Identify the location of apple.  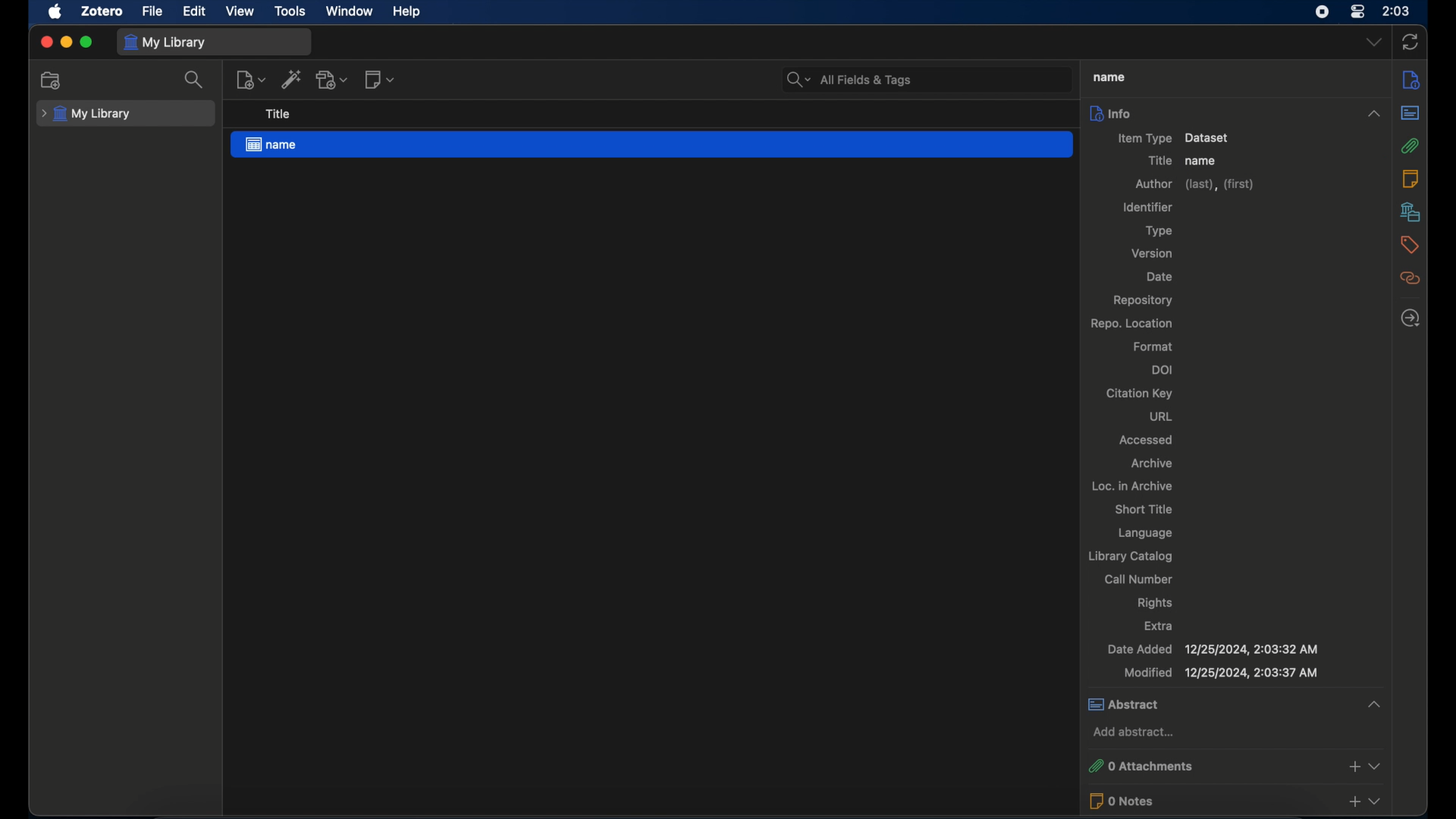
(55, 12).